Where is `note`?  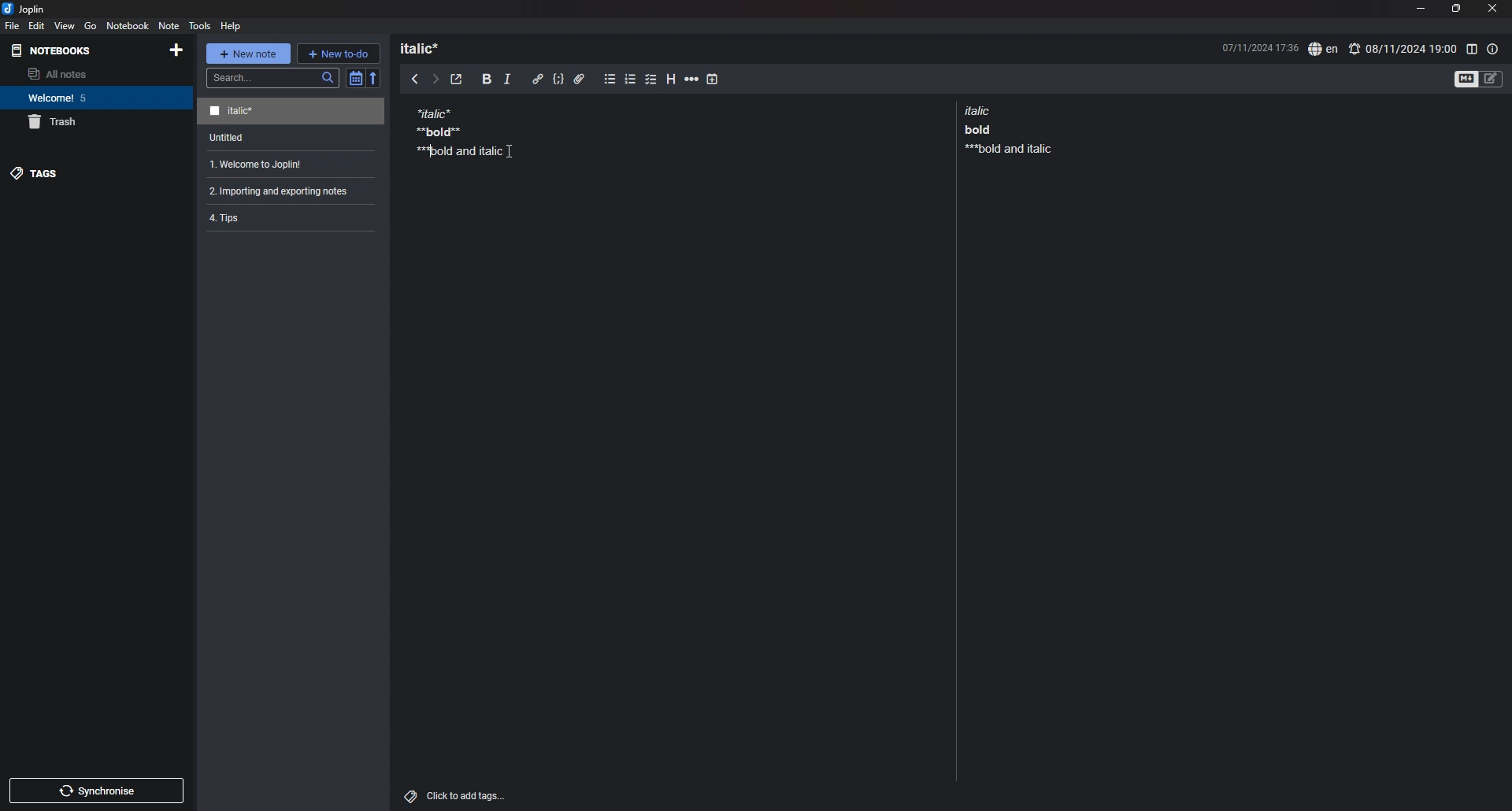
note is located at coordinates (293, 138).